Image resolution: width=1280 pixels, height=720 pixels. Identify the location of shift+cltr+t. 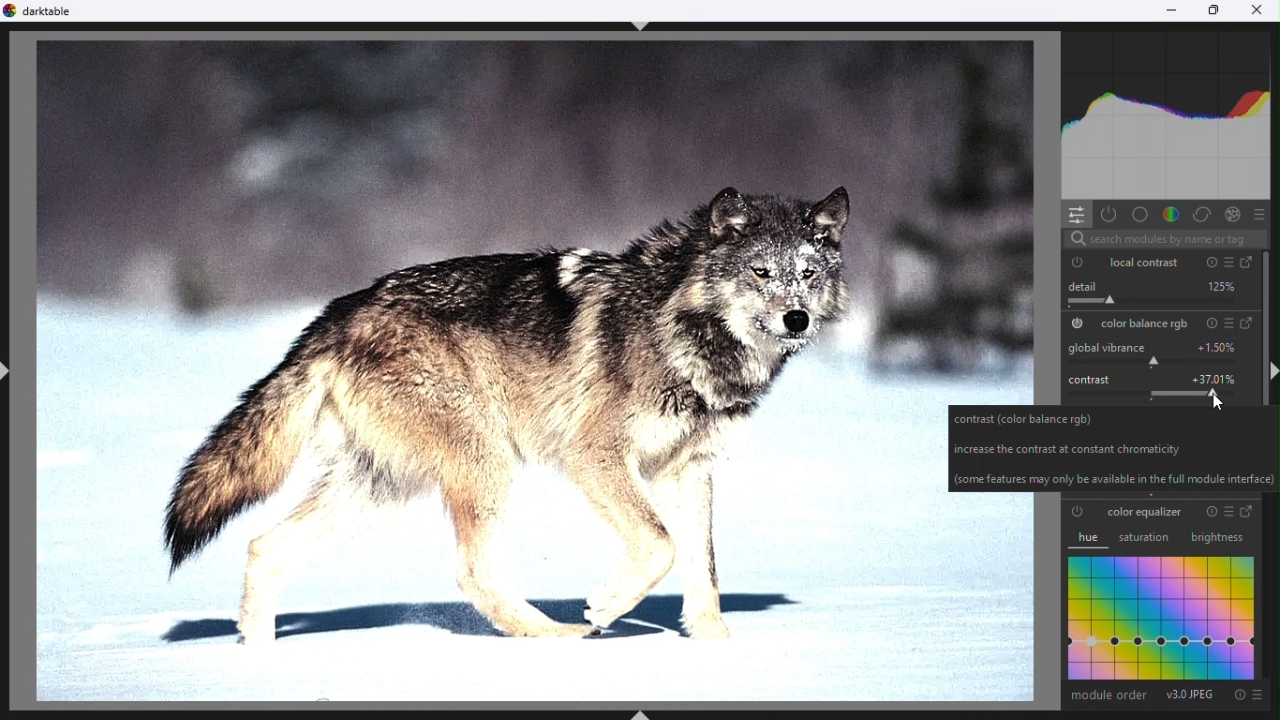
(640, 24).